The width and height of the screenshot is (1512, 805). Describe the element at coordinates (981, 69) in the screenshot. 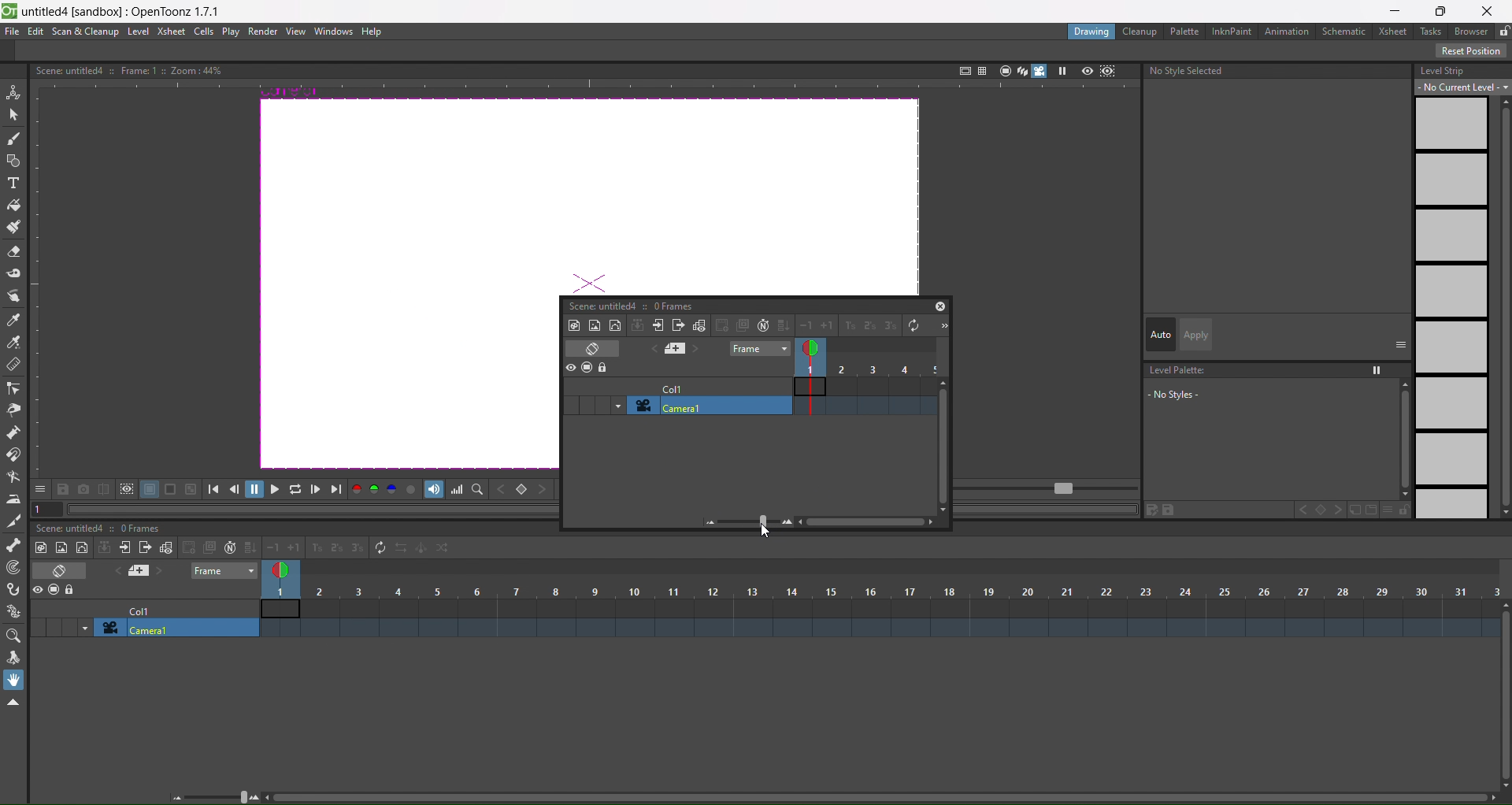

I see `field guide` at that location.